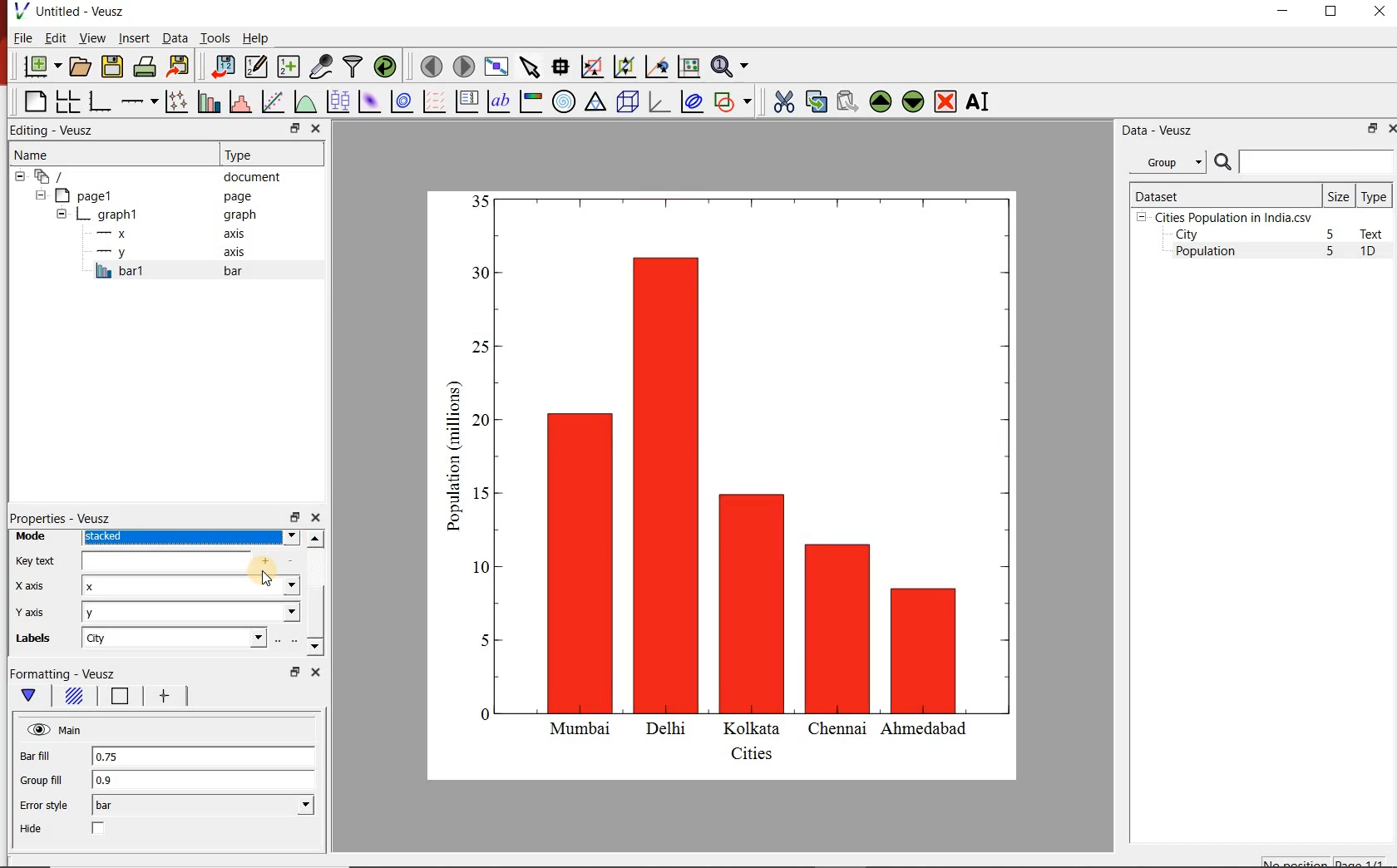  Describe the element at coordinates (204, 781) in the screenshot. I see `0.9` at that location.